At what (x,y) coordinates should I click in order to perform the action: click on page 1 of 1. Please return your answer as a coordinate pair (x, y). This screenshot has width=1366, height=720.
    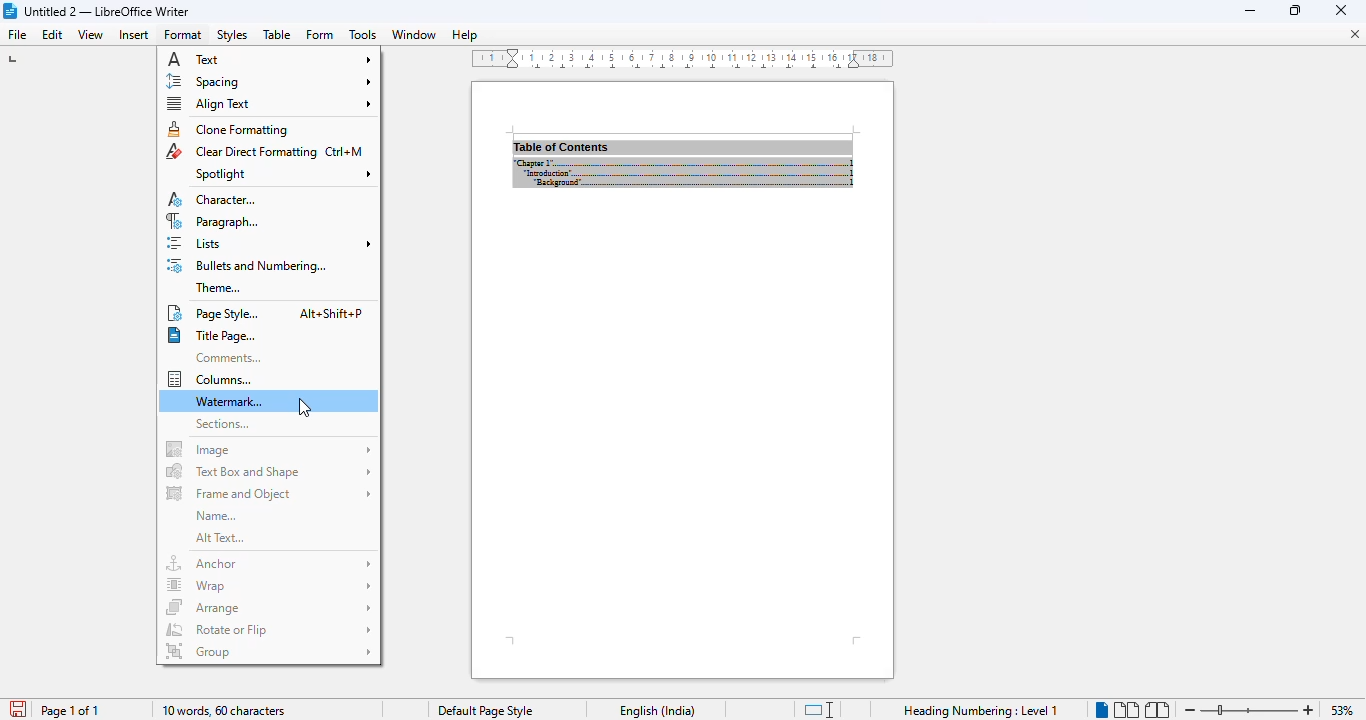
    Looking at the image, I should click on (70, 711).